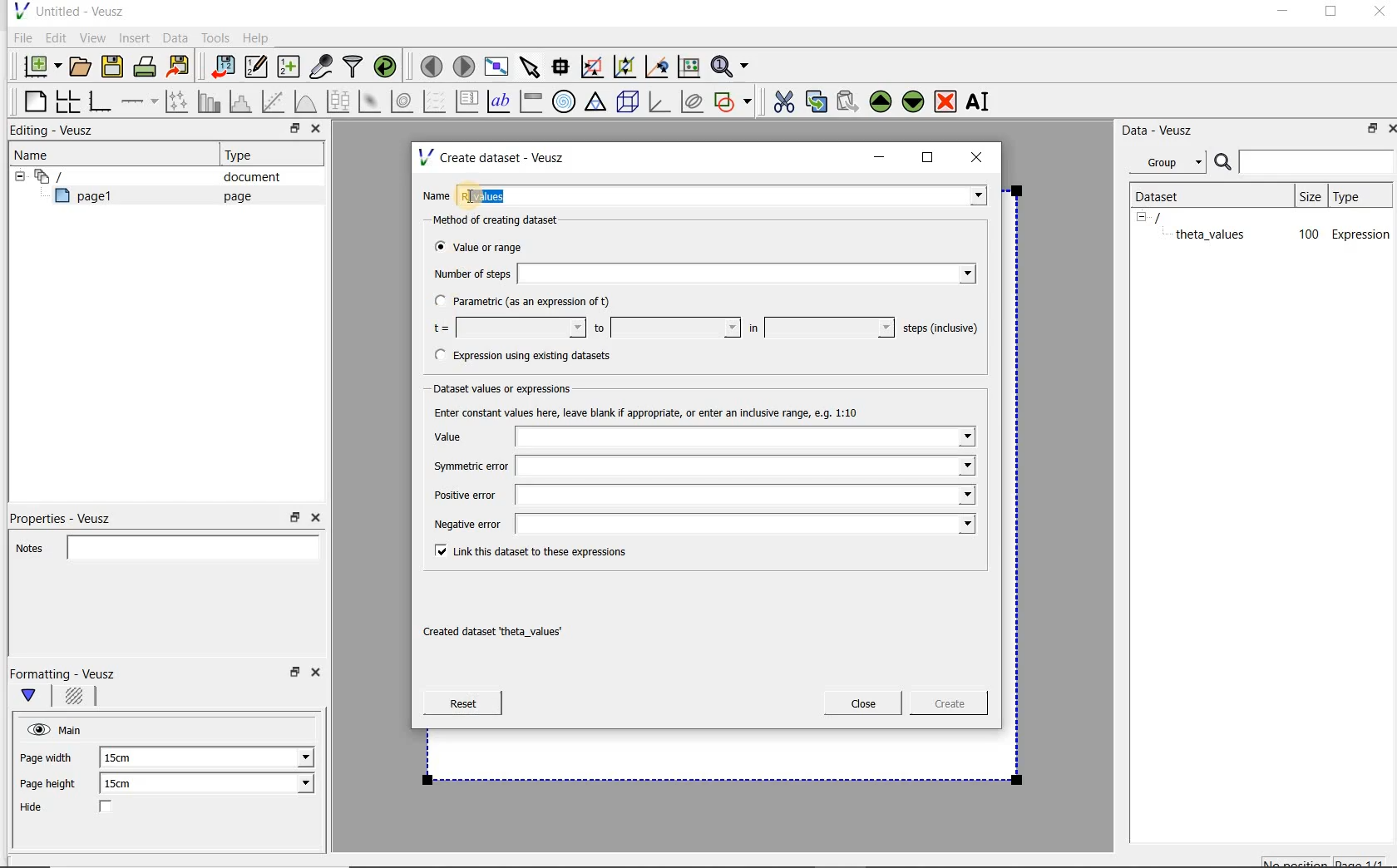 The width and height of the screenshot is (1397, 868). Describe the element at coordinates (734, 100) in the screenshot. I see `add a shape to the plot` at that location.